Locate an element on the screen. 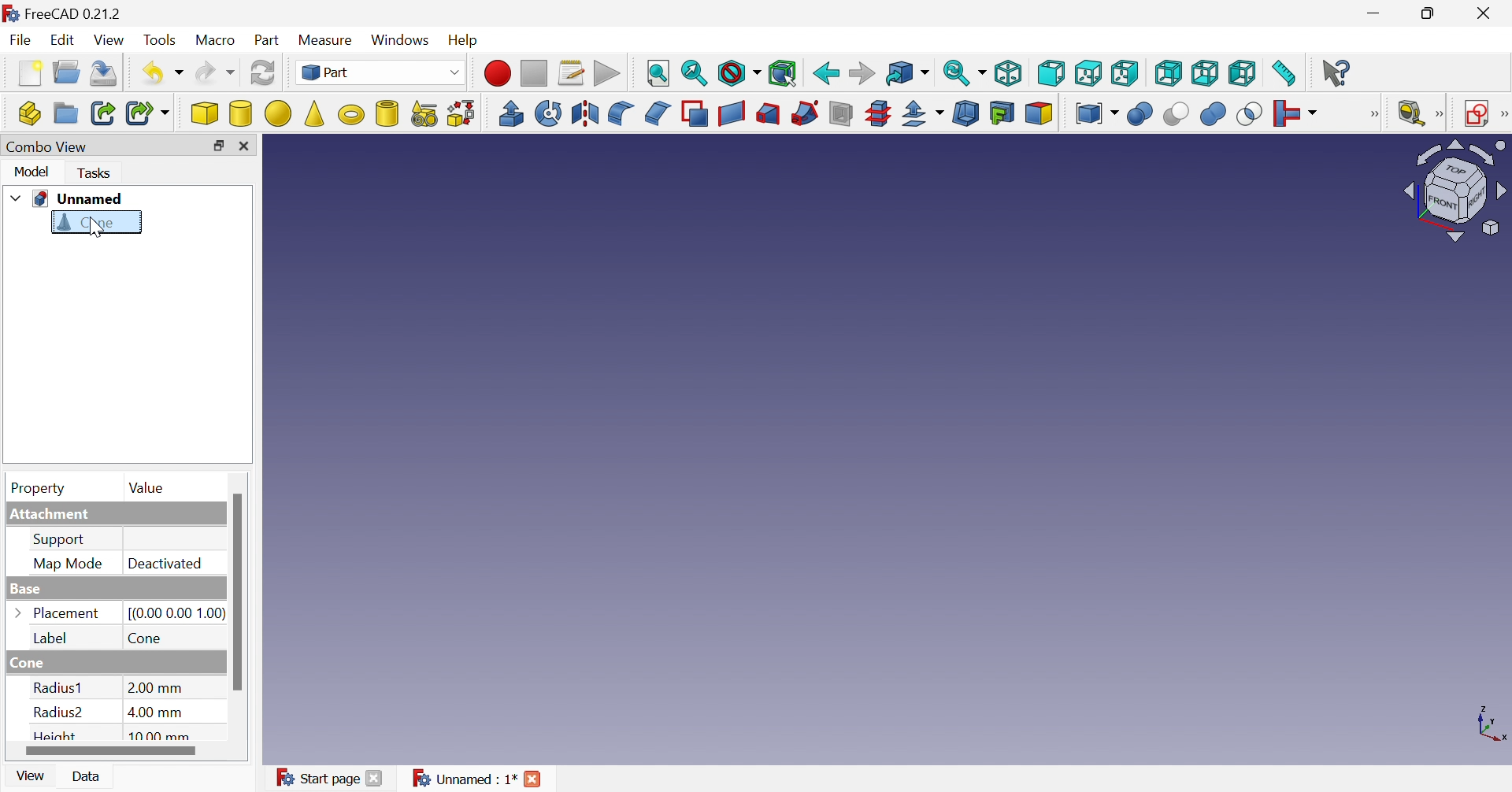  FreeCAD 0.21.2 (Application details) is located at coordinates (62, 12).